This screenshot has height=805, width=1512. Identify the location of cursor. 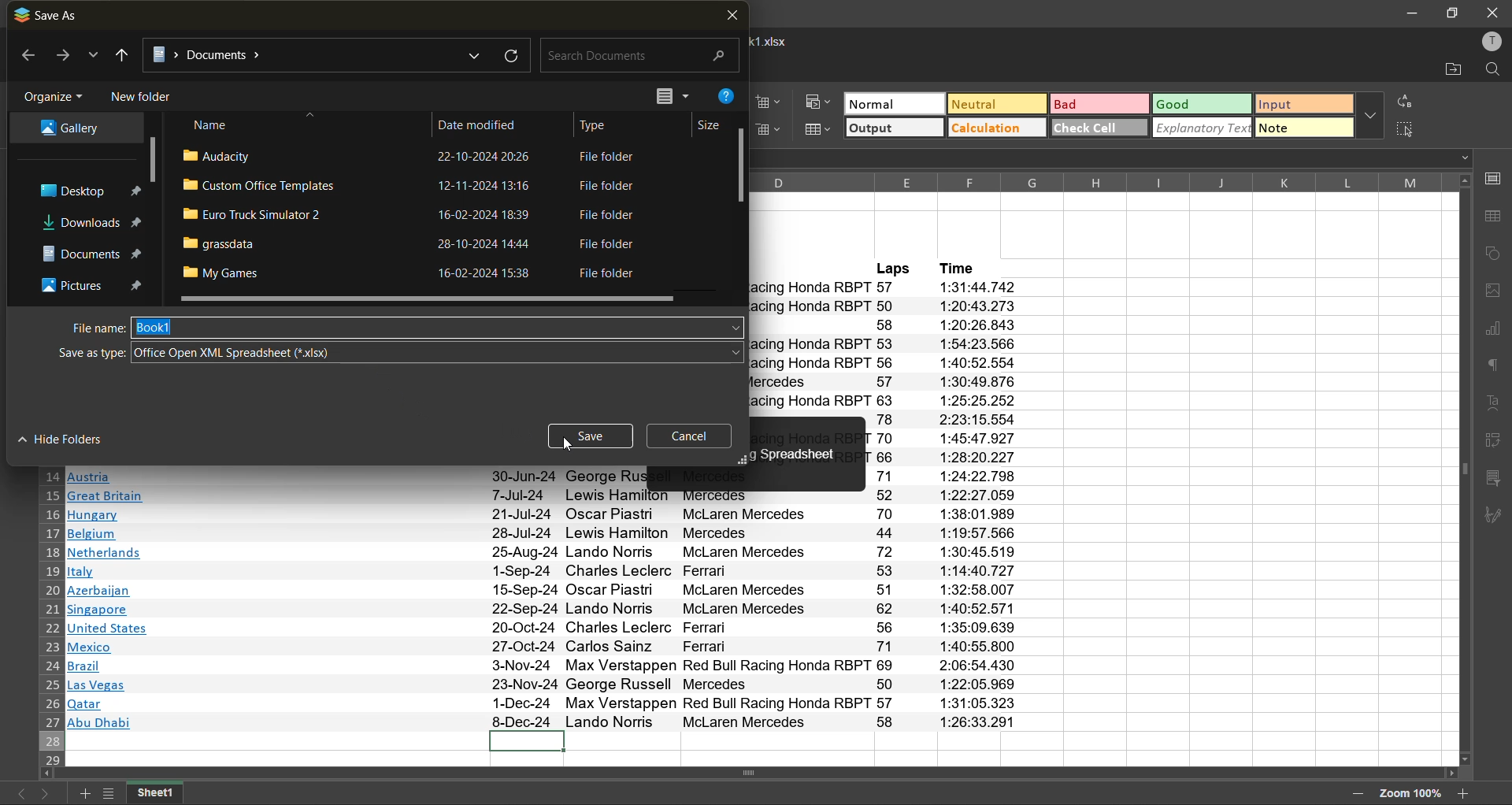
(565, 447).